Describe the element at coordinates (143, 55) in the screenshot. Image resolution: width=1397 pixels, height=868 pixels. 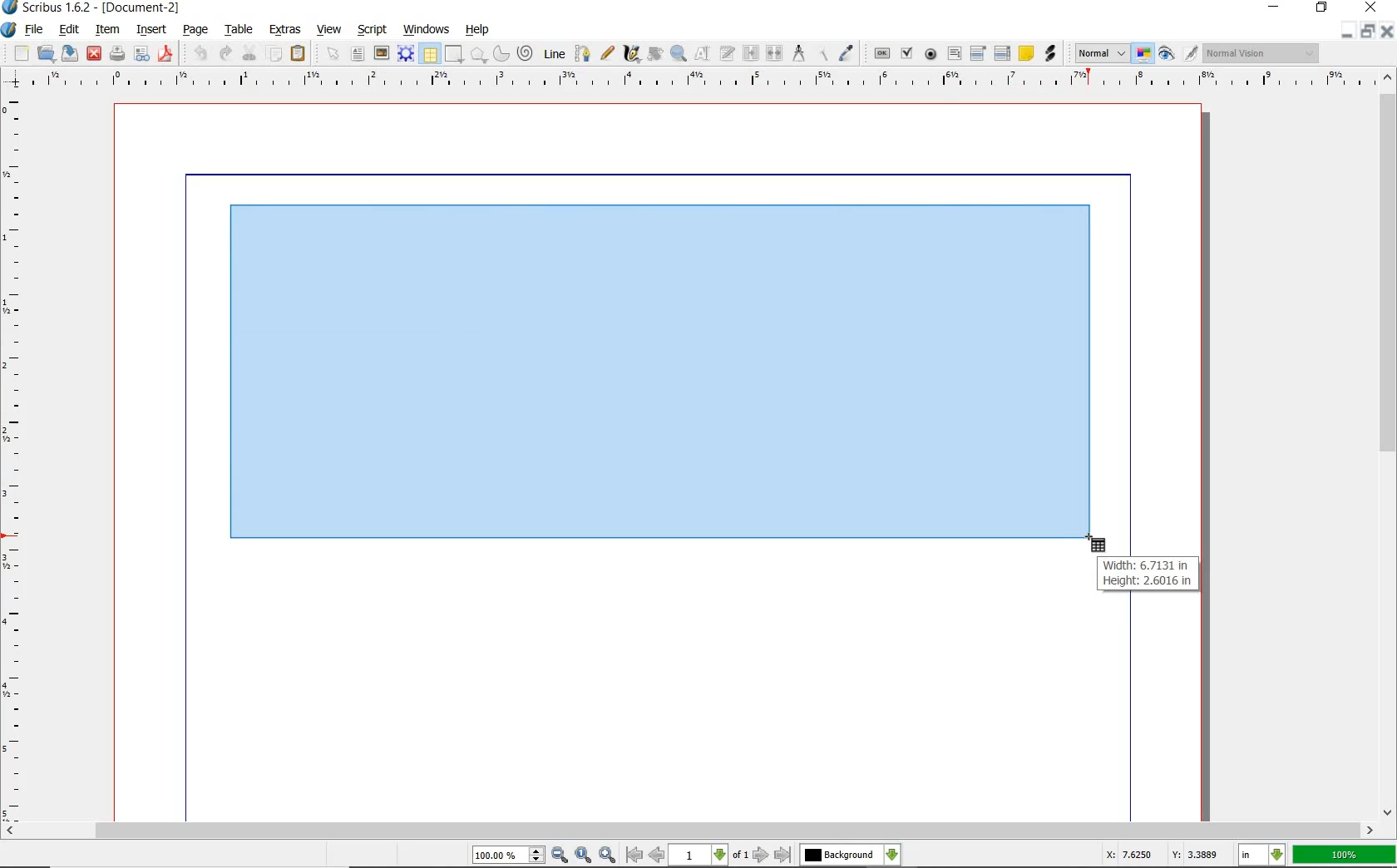
I see `preflight verifier` at that location.